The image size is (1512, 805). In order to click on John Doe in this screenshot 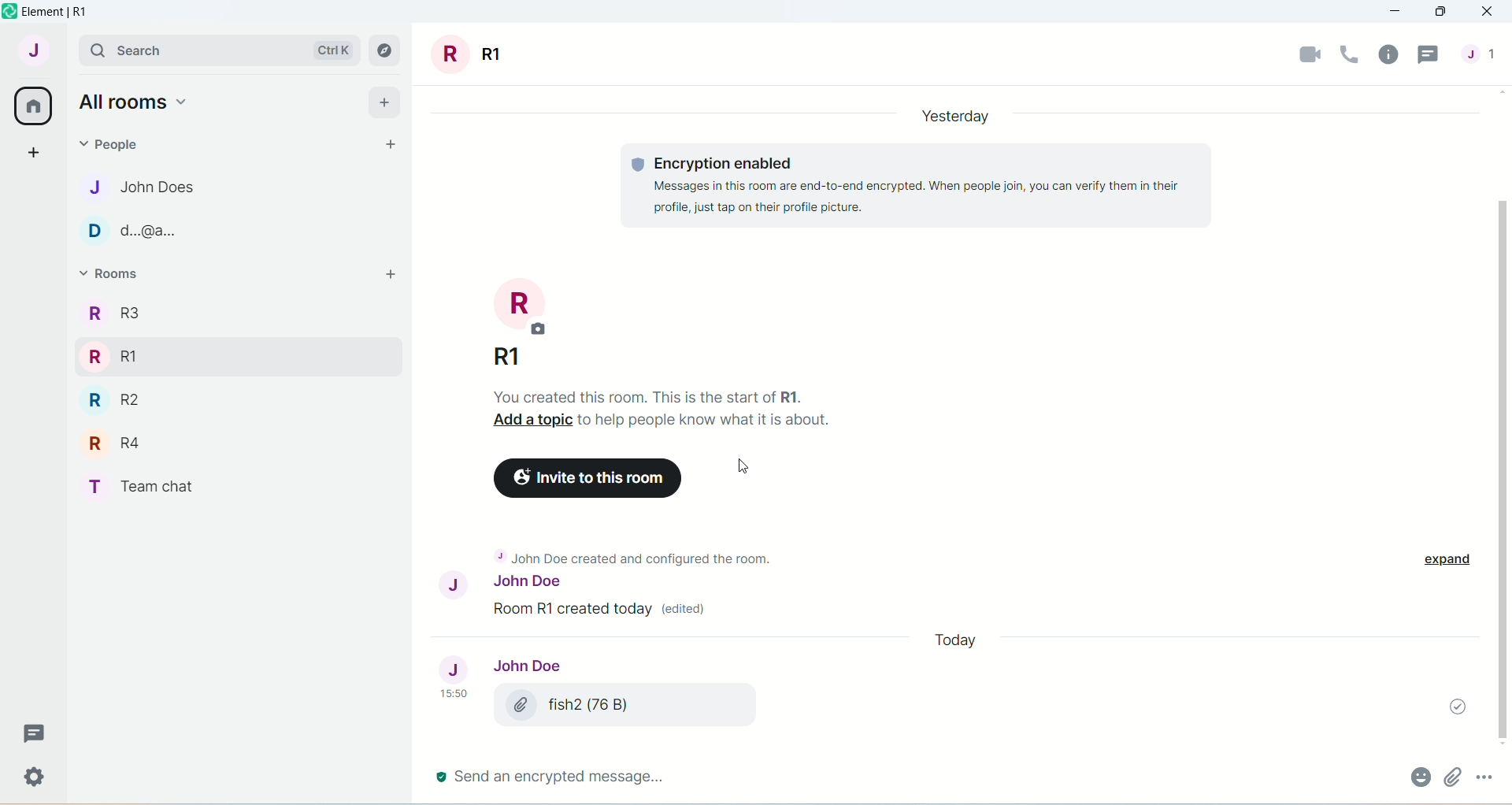, I will do `click(509, 666)`.